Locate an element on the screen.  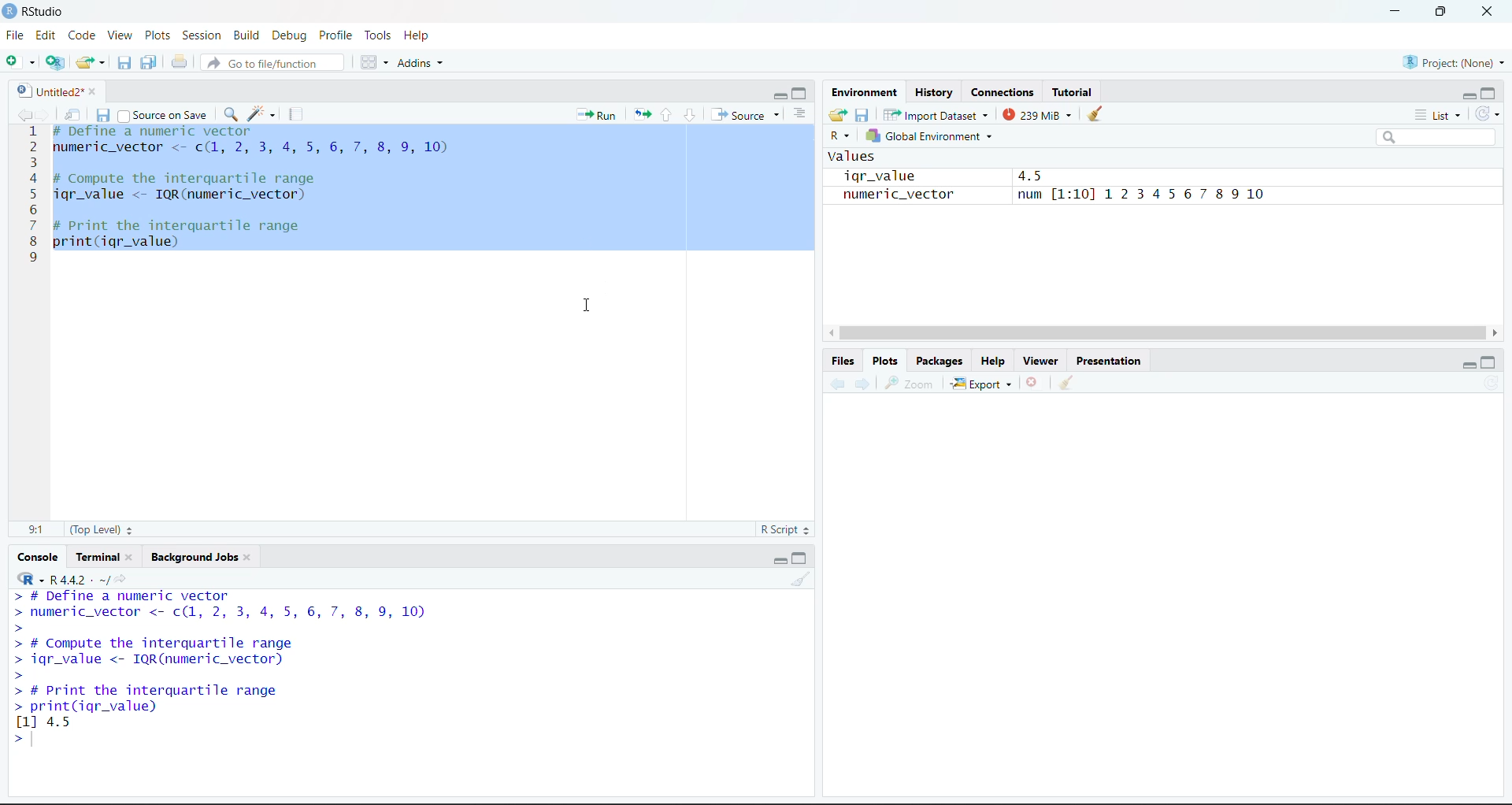
Minimize is located at coordinates (778, 94).